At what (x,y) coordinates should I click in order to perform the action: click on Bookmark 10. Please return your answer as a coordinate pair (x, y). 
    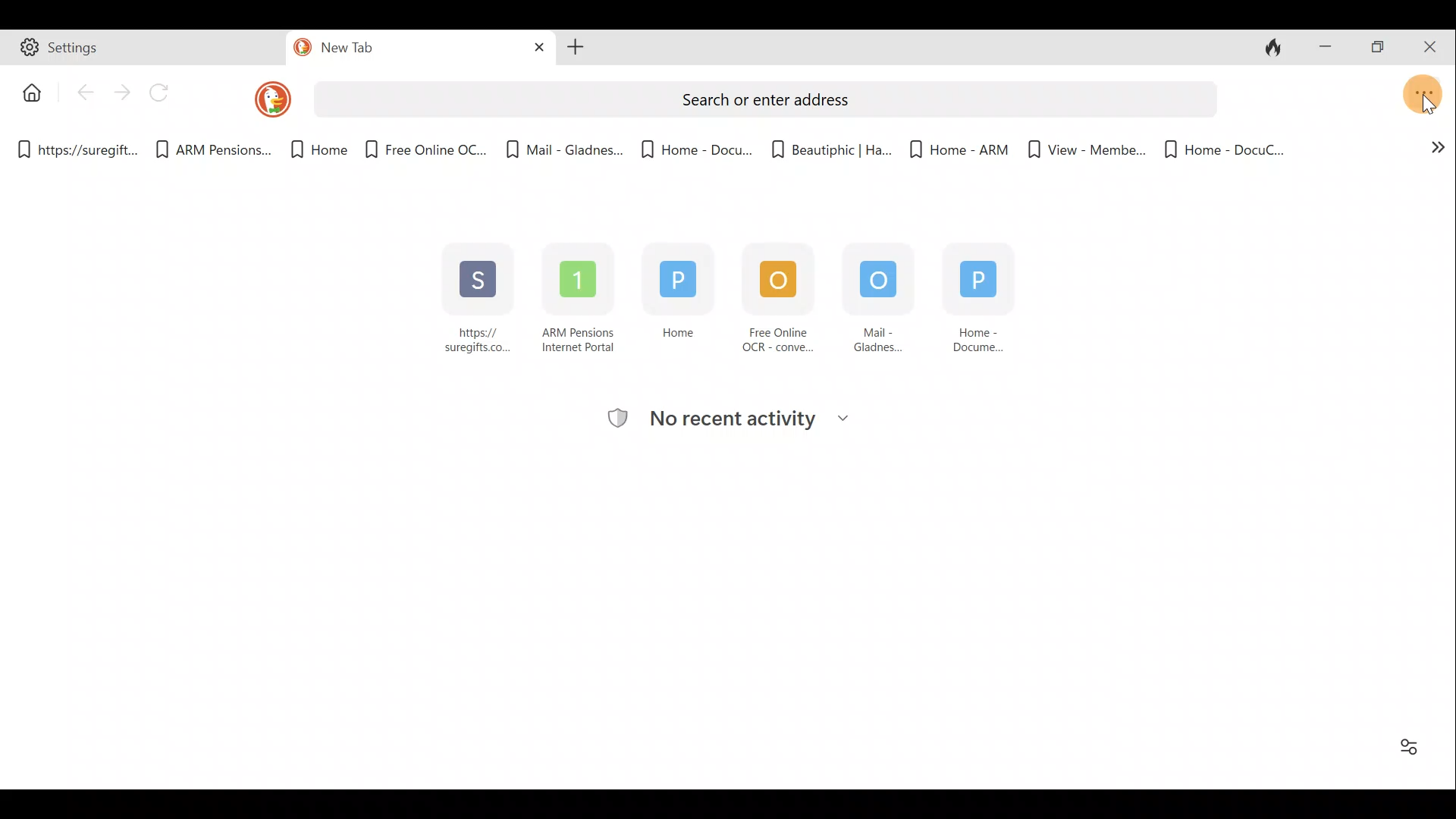
    Looking at the image, I should click on (1223, 147).